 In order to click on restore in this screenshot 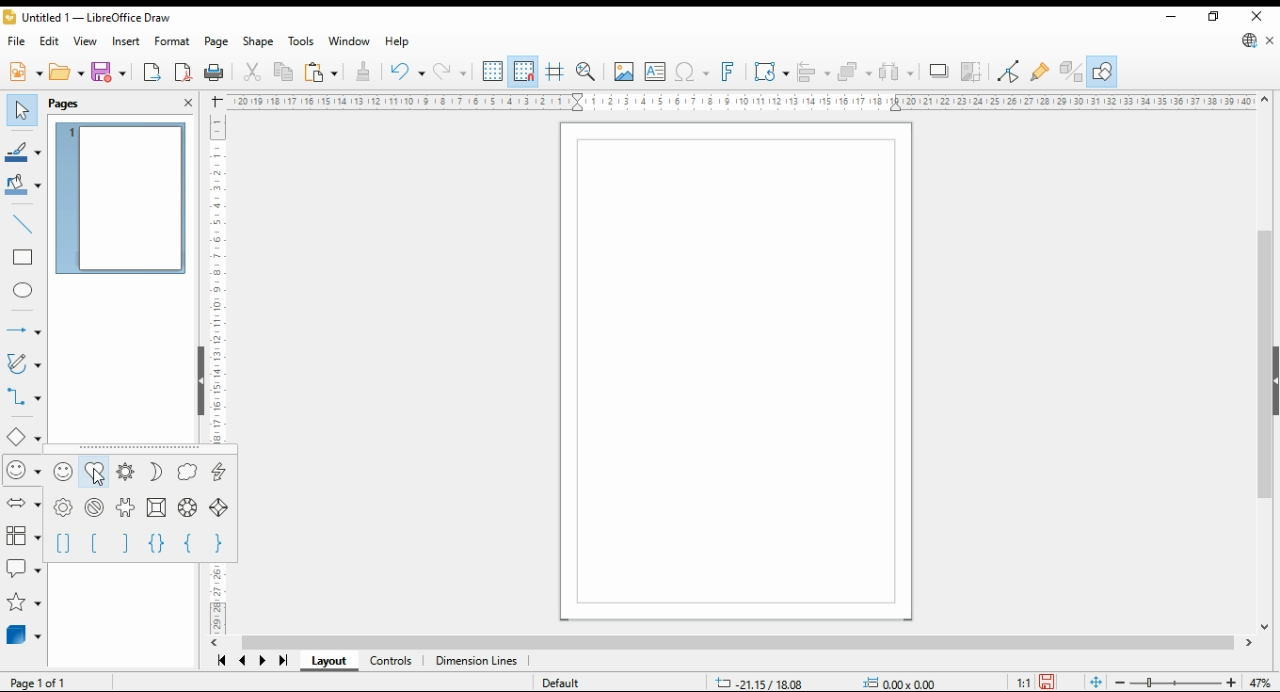, I will do `click(1213, 17)`.